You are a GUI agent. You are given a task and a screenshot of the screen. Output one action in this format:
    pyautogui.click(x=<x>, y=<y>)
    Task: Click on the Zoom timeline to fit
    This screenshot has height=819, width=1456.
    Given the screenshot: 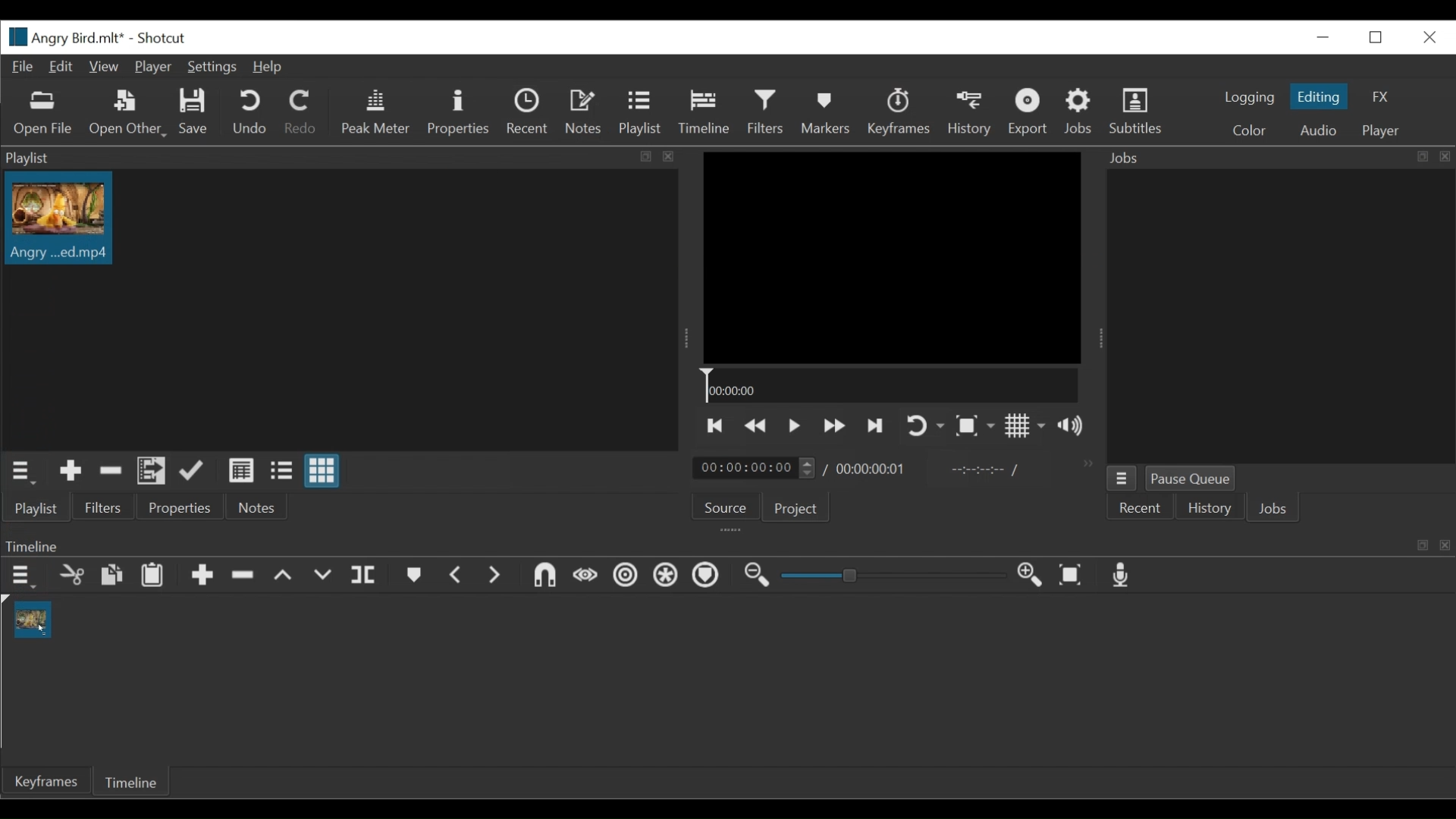 What is the action you would take?
    pyautogui.click(x=1073, y=577)
    